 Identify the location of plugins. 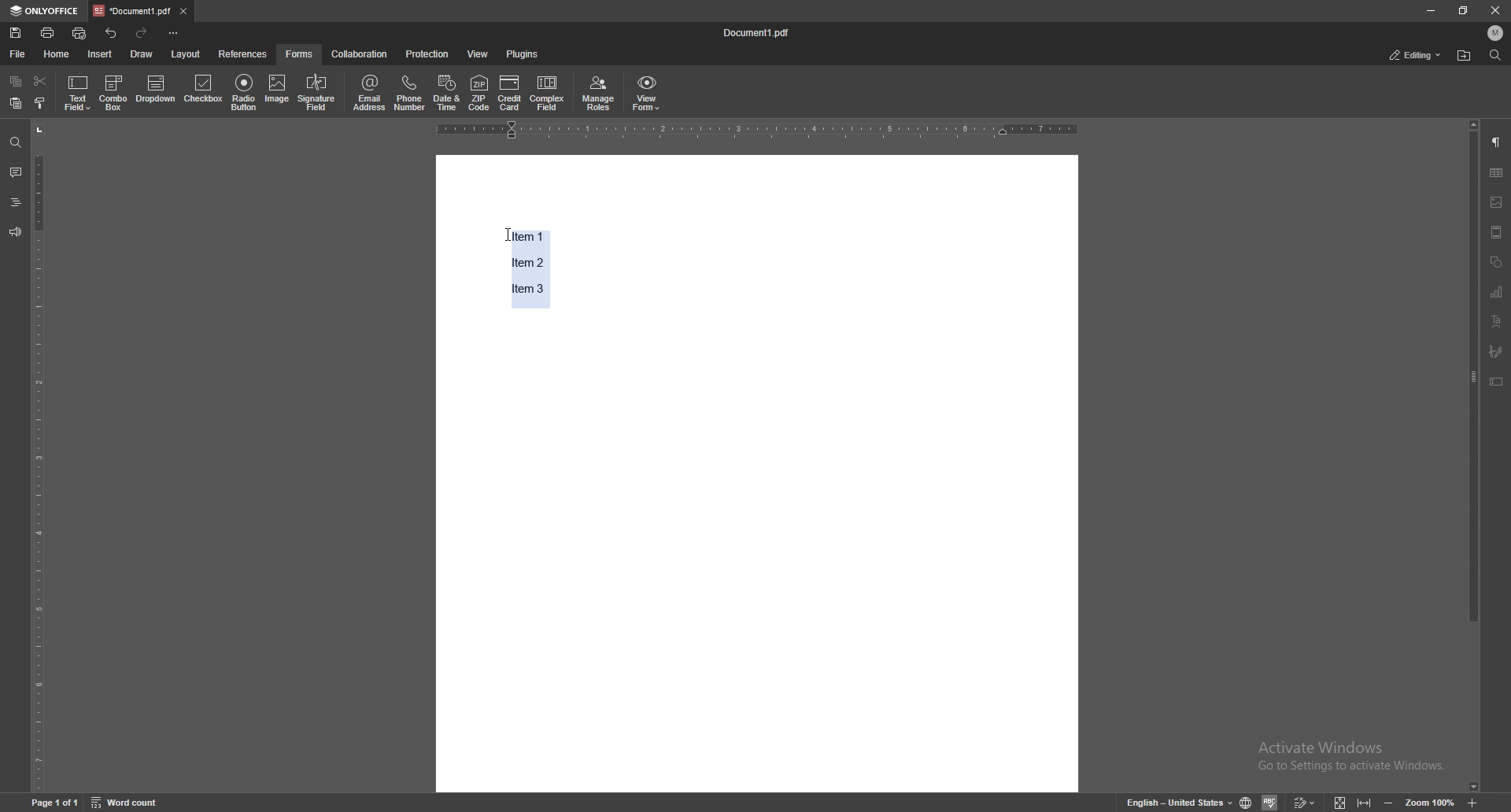
(526, 54).